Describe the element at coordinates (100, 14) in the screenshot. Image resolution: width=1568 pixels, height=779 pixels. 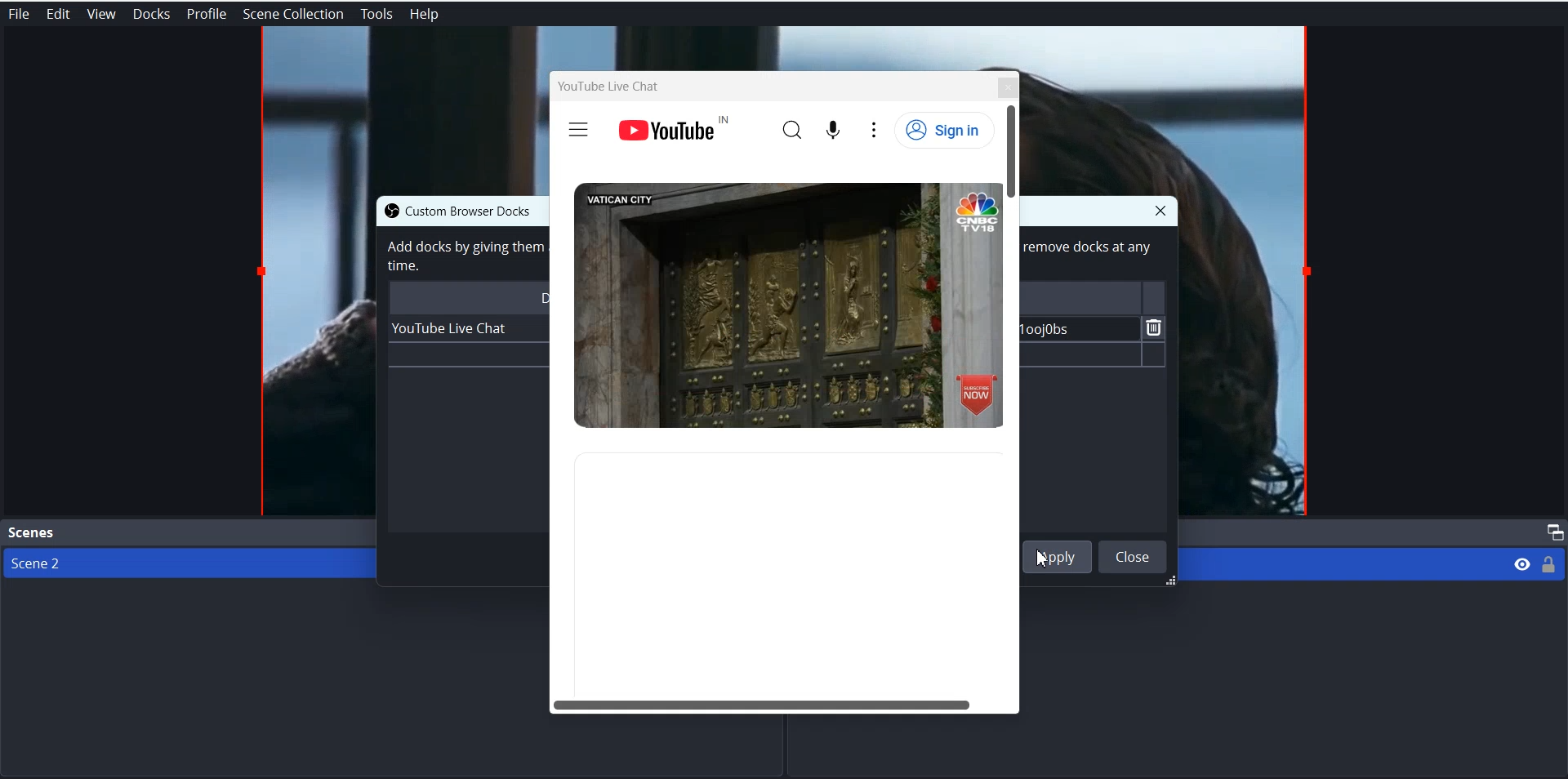
I see `View` at that location.